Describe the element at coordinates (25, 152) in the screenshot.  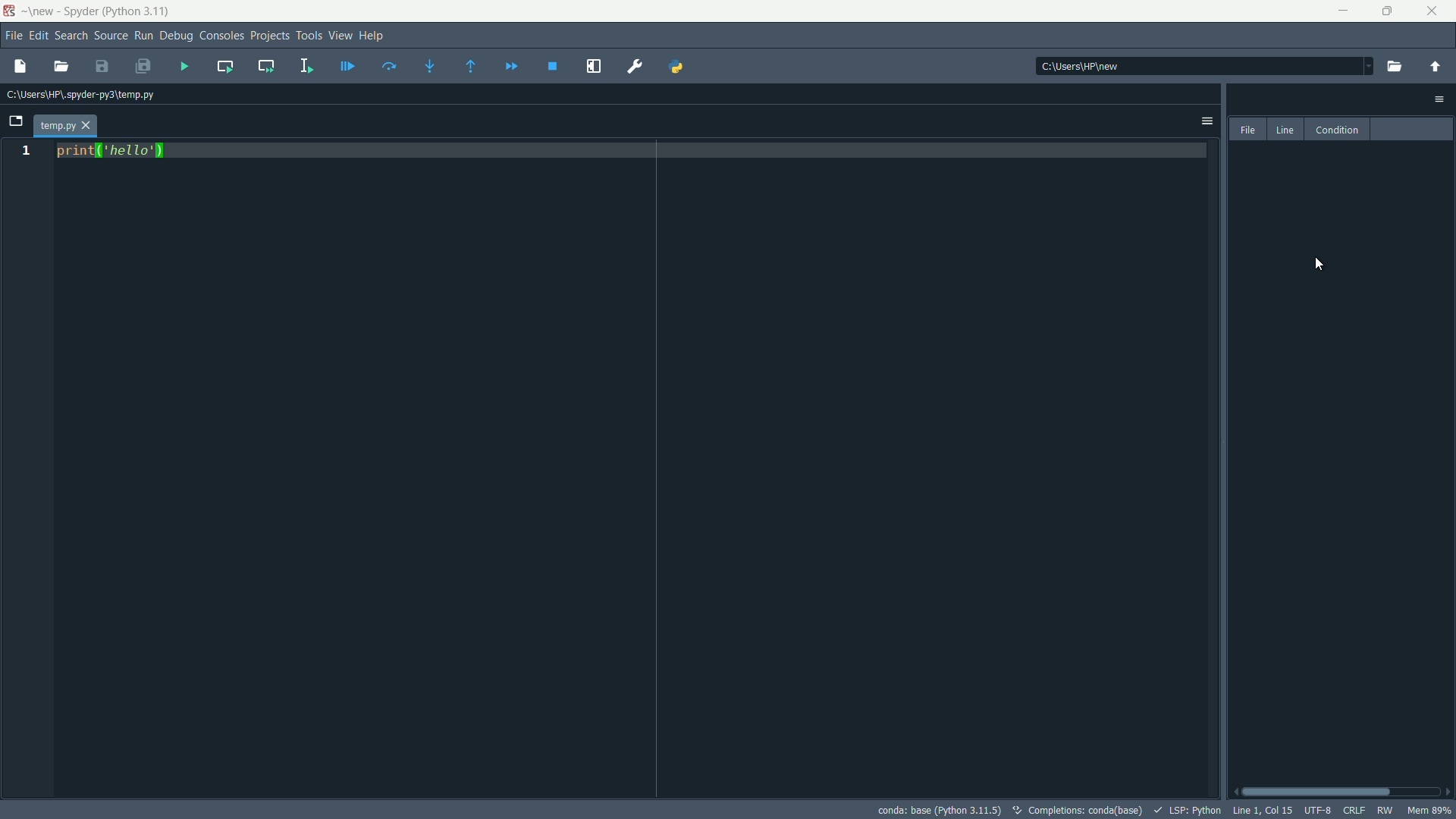
I see `line number 1` at that location.